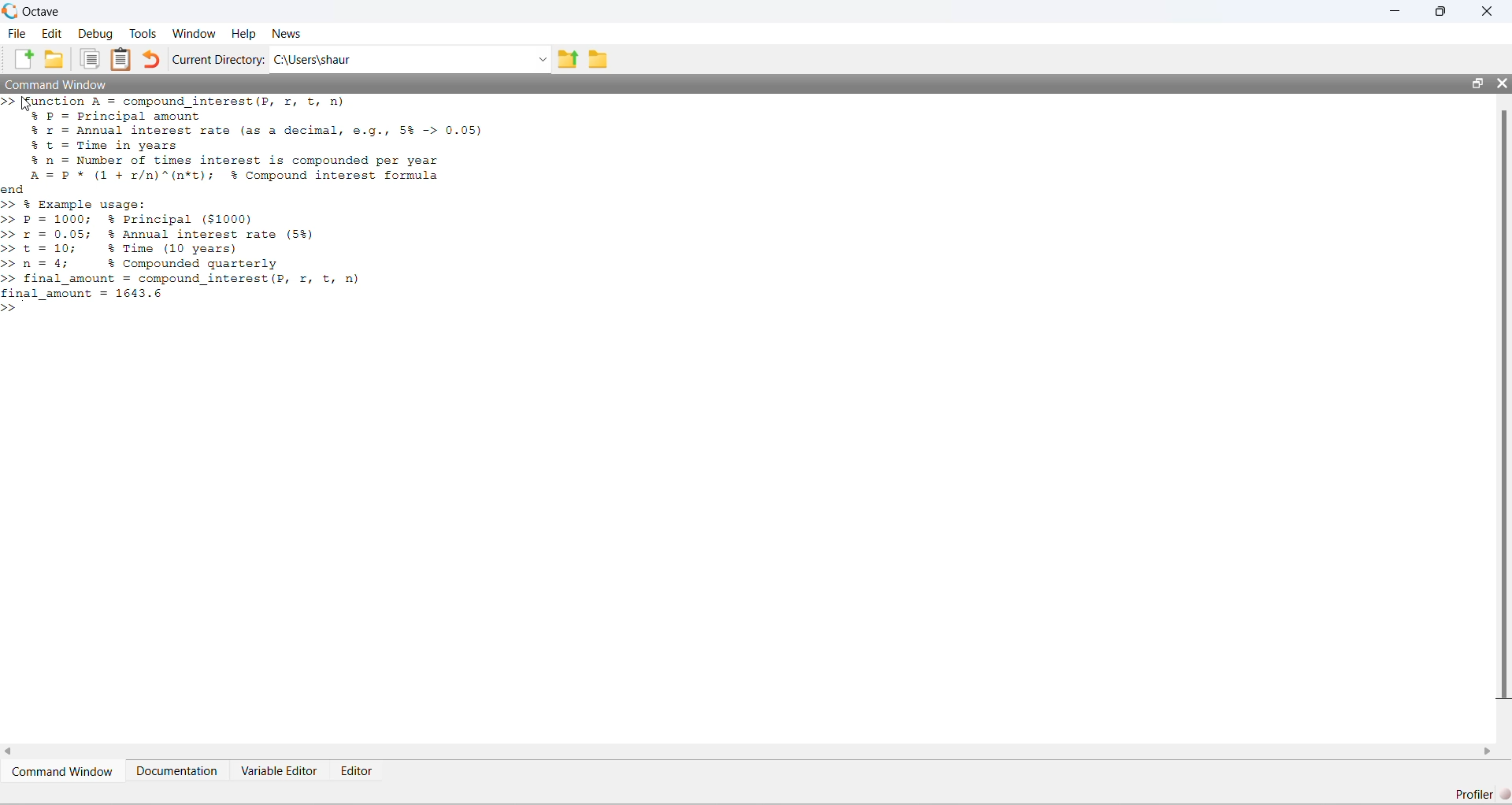 The image size is (1512, 805). Describe the element at coordinates (568, 59) in the screenshot. I see `Previous Folder` at that location.